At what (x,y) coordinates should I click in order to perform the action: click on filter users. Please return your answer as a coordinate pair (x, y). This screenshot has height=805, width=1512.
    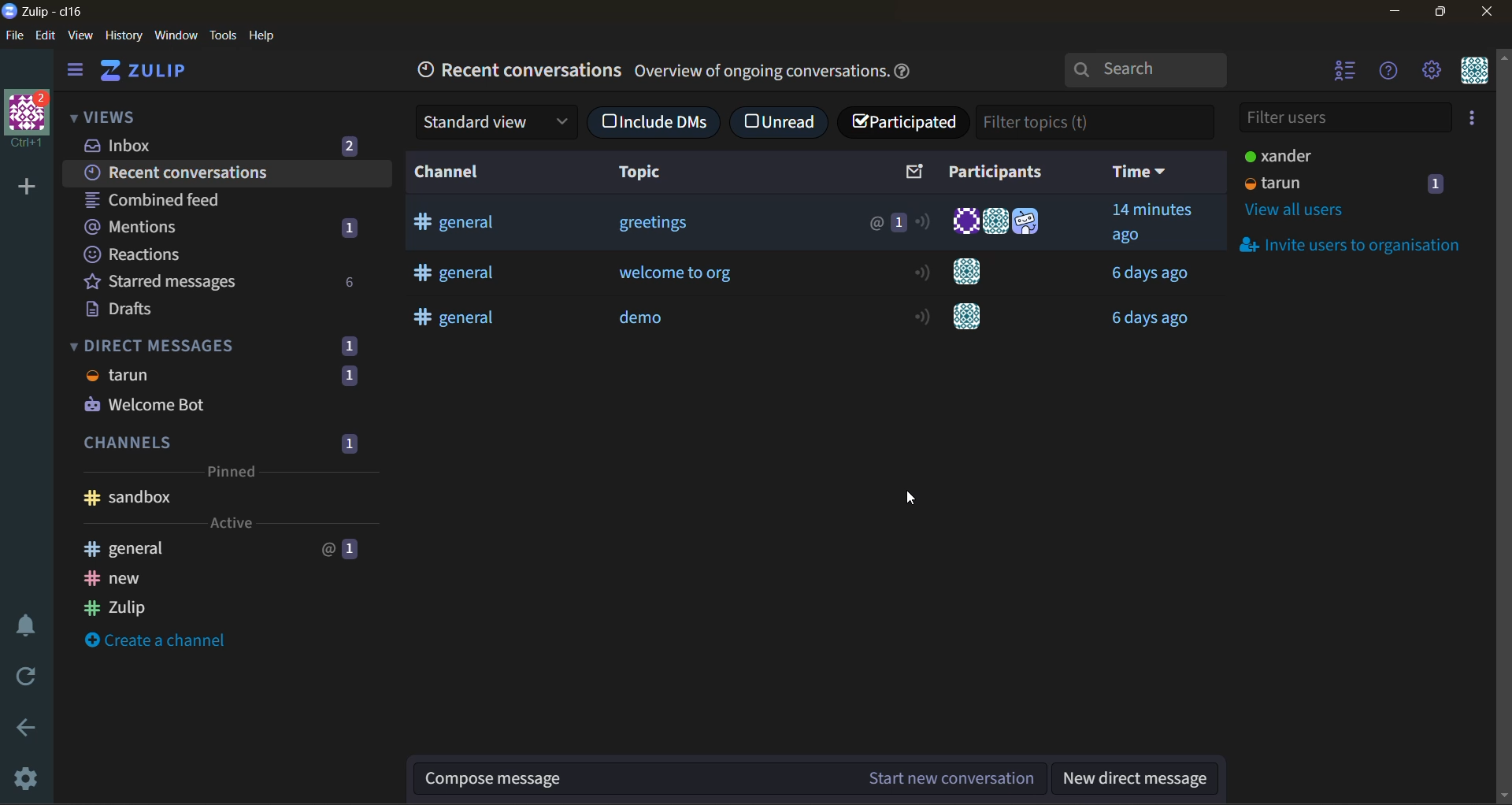
    Looking at the image, I should click on (1342, 117).